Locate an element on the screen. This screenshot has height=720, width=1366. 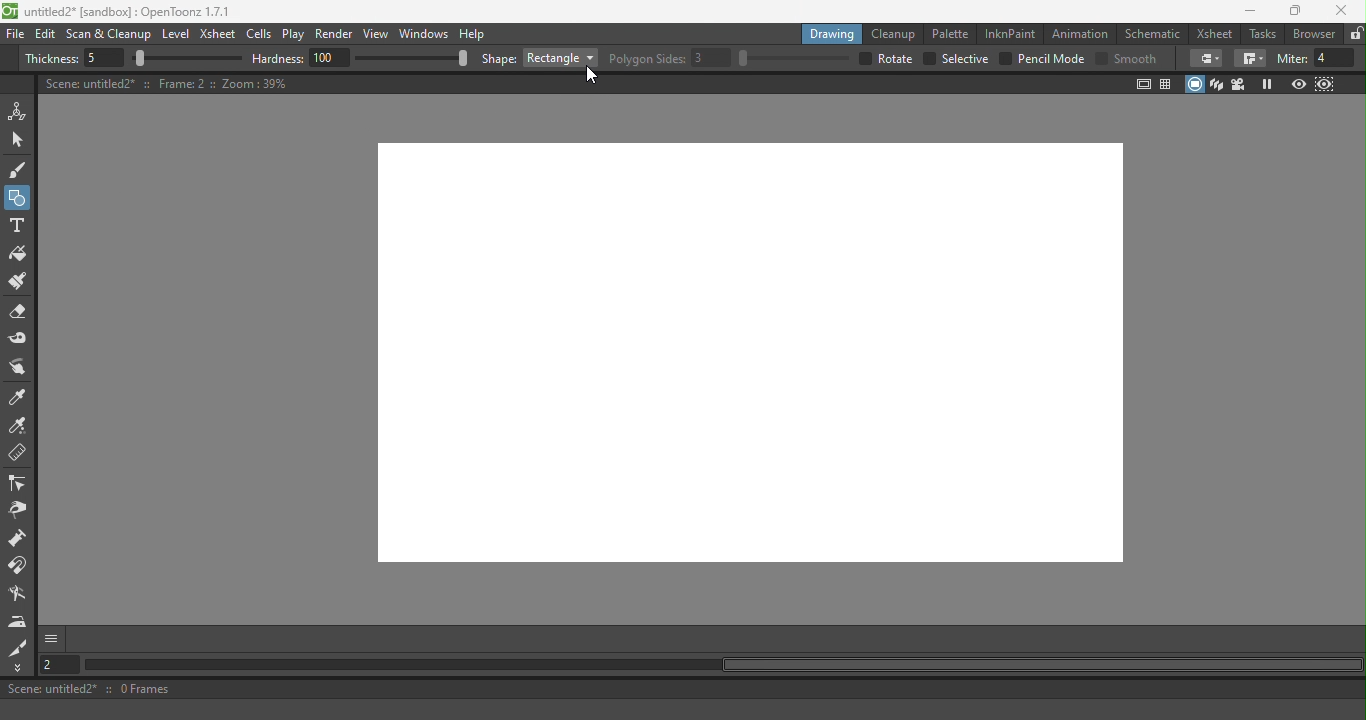
Cleanup is located at coordinates (891, 32).